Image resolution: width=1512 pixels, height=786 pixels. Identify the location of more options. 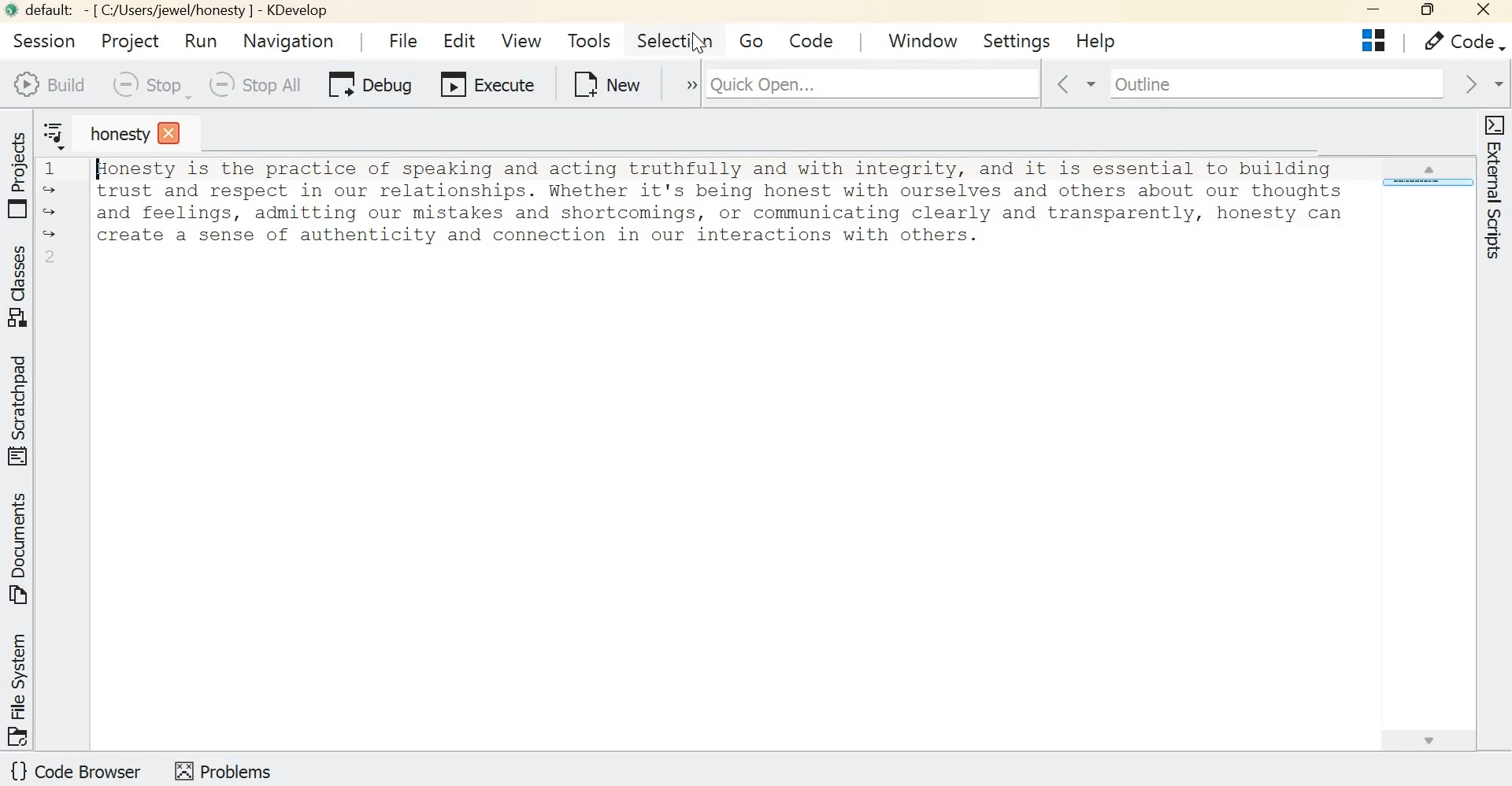
(680, 85).